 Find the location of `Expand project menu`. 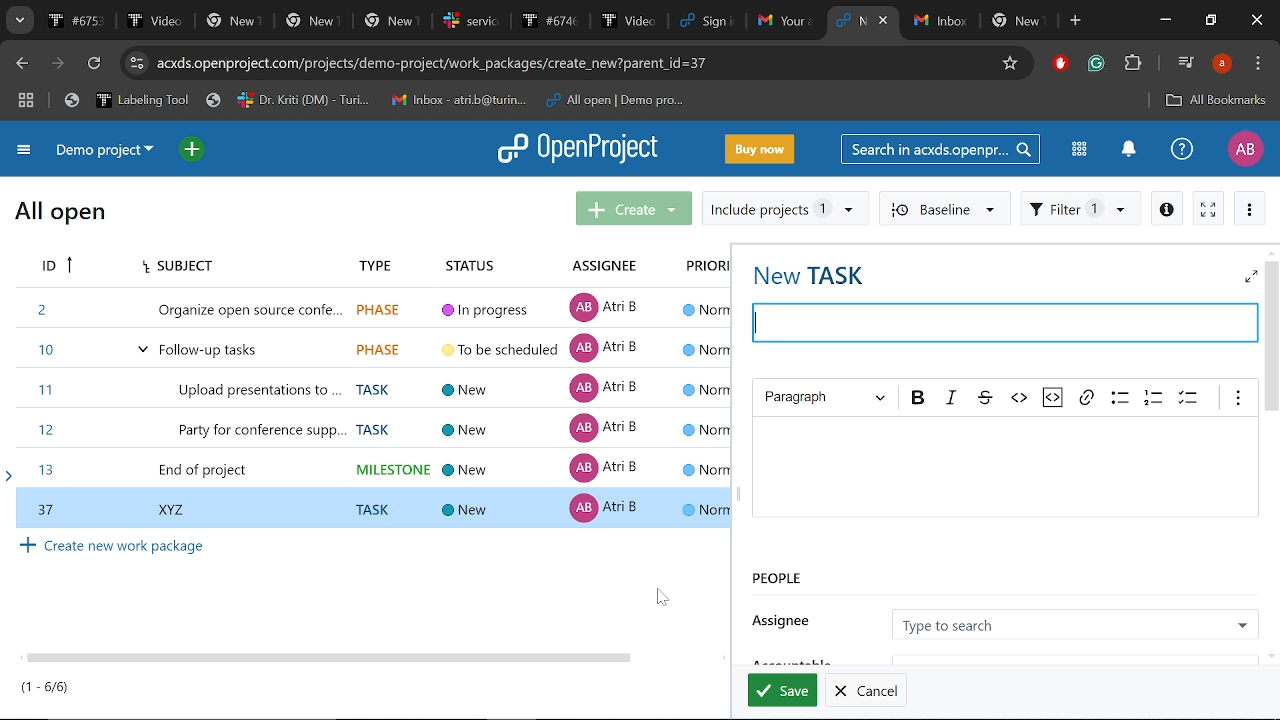

Expand project menu is located at coordinates (25, 153).